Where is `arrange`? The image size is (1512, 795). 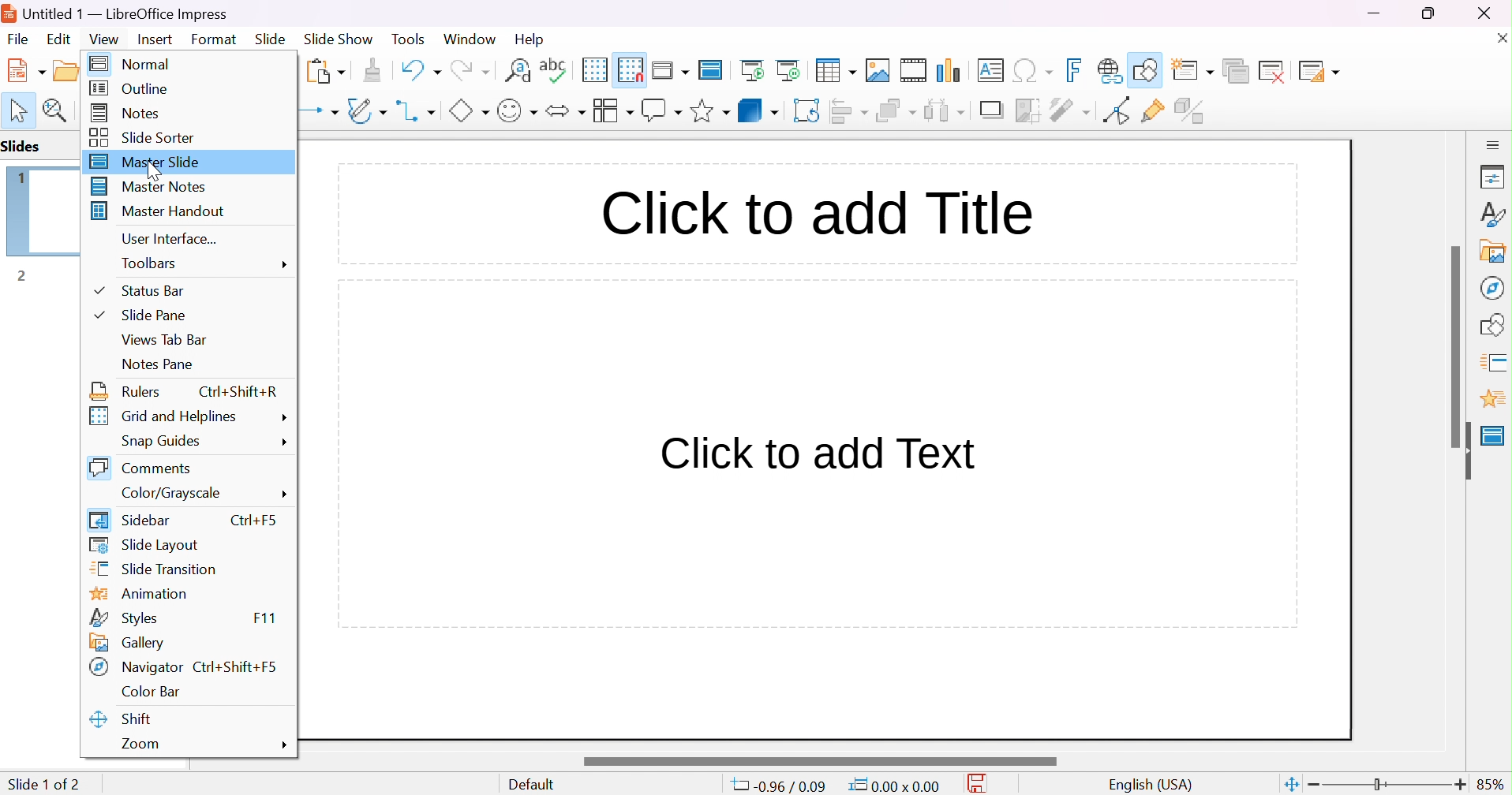 arrange is located at coordinates (896, 110).